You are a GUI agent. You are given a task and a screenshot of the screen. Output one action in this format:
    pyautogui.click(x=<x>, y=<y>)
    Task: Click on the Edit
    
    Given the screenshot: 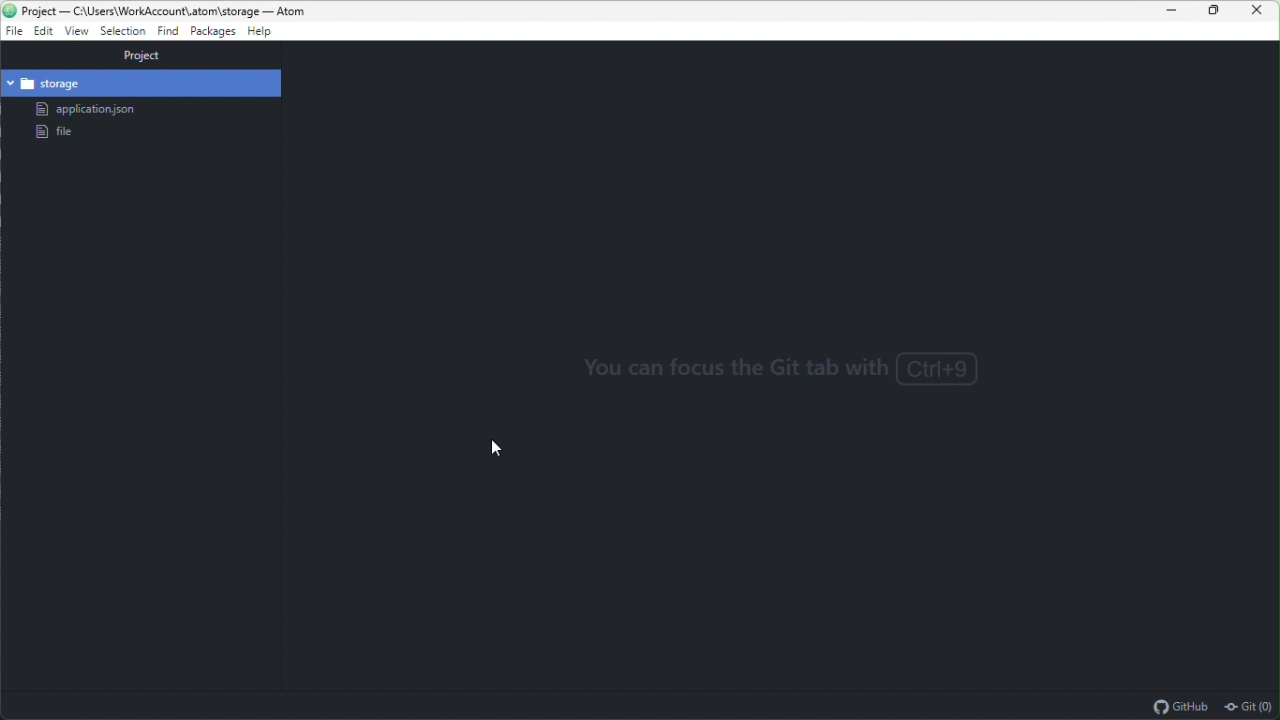 What is the action you would take?
    pyautogui.click(x=42, y=31)
    